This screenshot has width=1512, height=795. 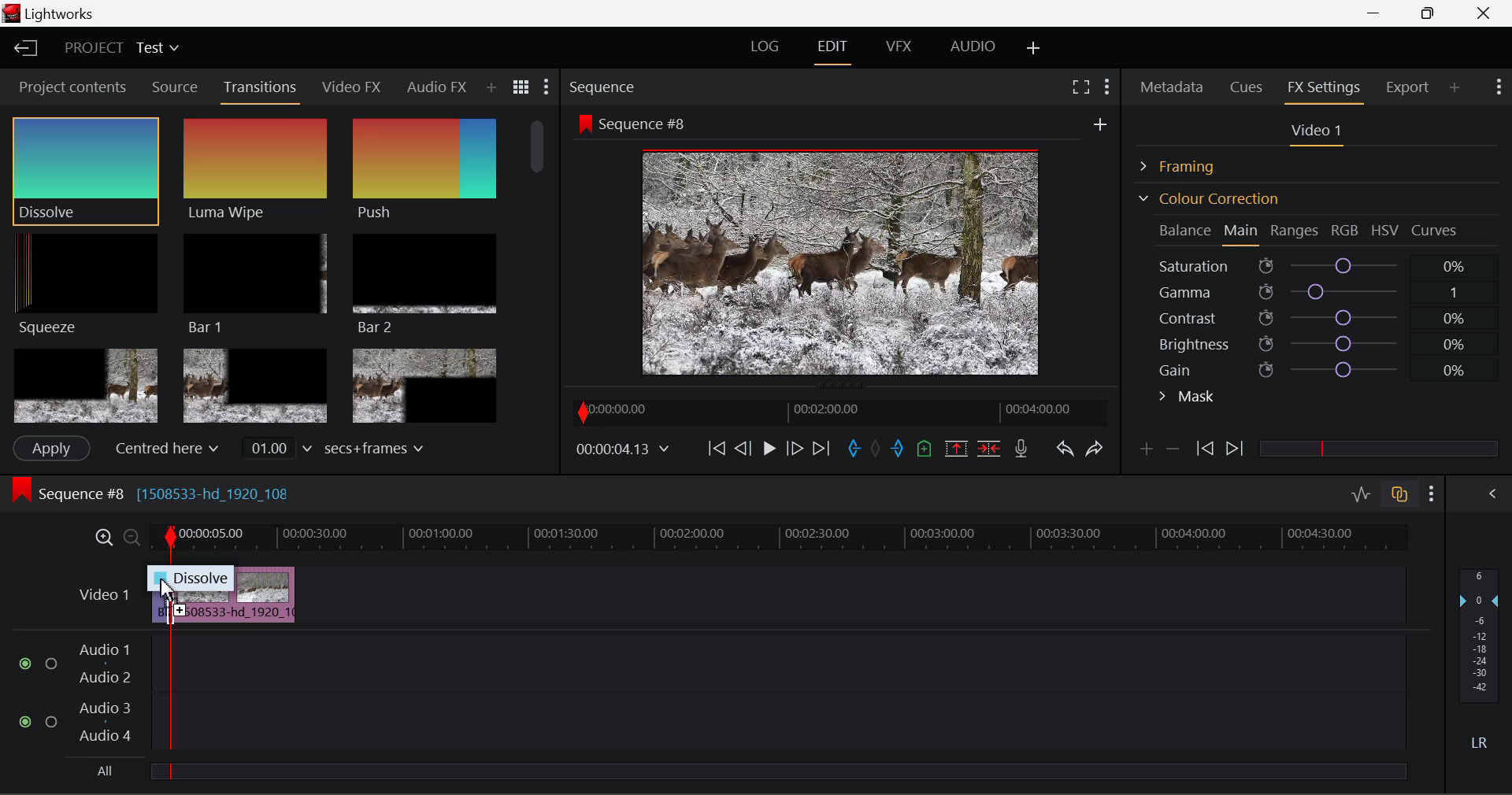 I want to click on secs-frames input field, so click(x=335, y=447).